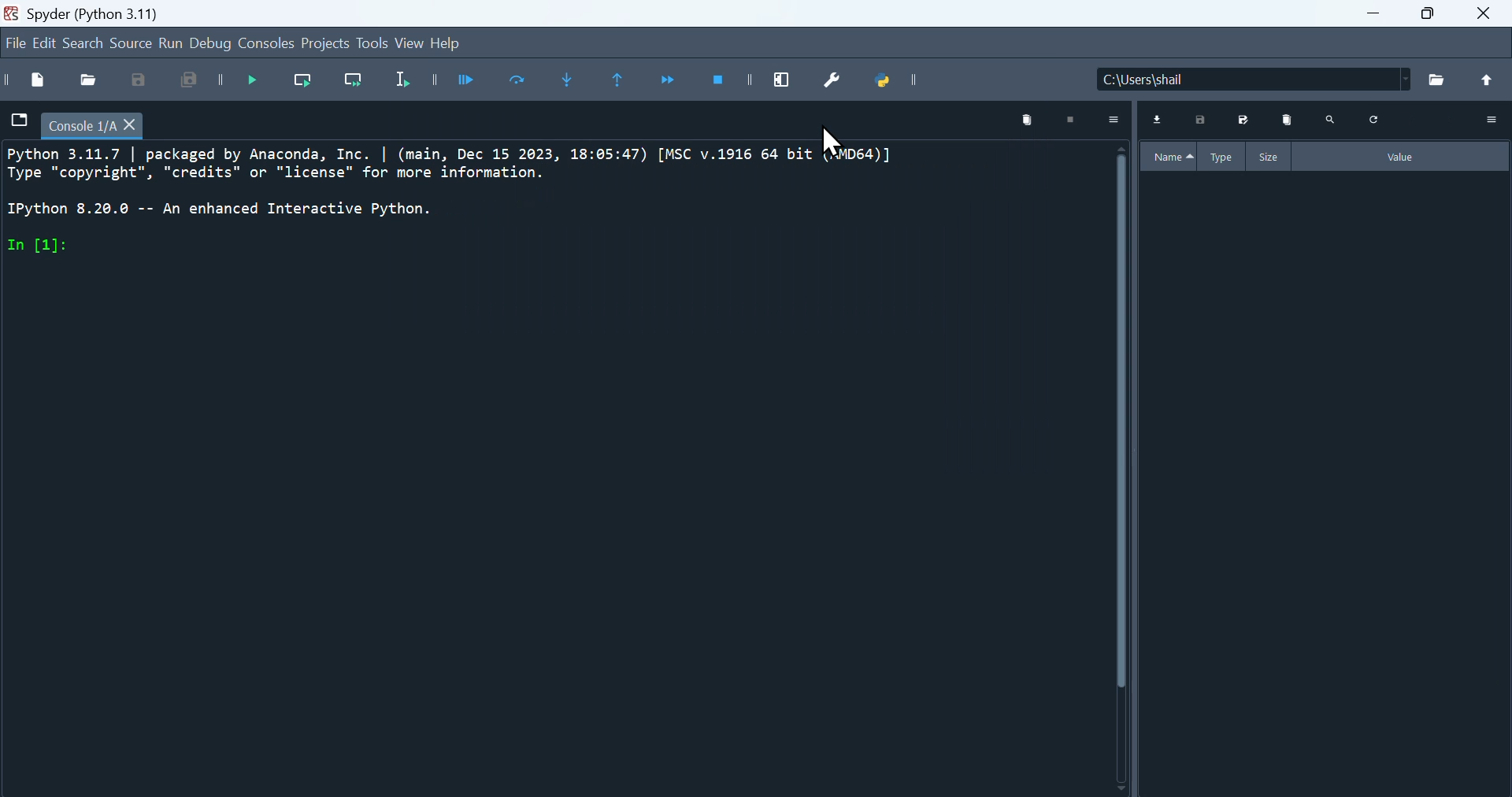 Image resolution: width=1512 pixels, height=797 pixels. Describe the element at coordinates (409, 44) in the screenshot. I see `view` at that location.